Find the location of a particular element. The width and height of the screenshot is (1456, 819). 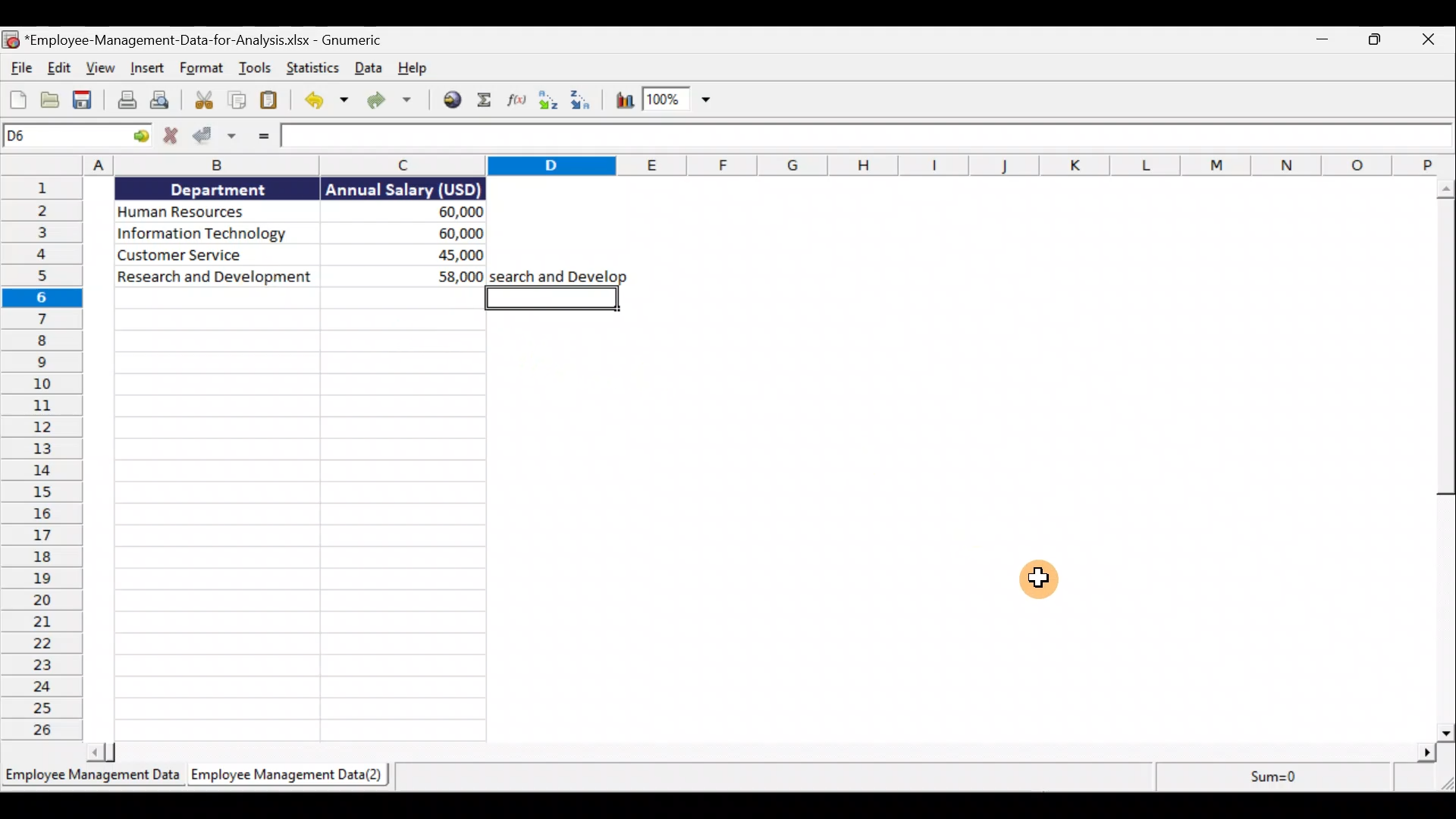

Copy selection is located at coordinates (234, 100).